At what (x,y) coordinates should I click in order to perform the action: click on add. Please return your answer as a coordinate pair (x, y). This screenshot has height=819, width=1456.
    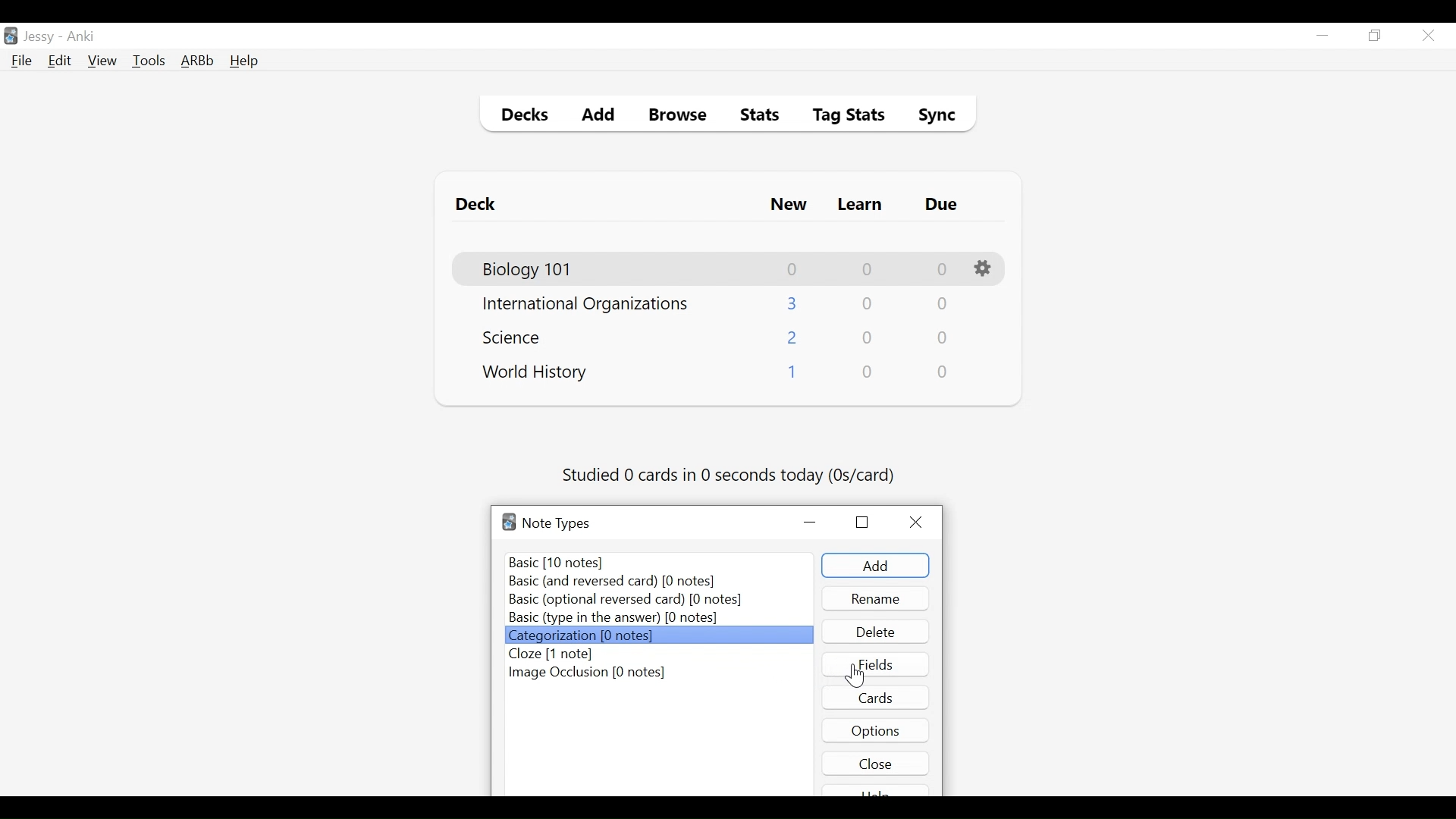
    Looking at the image, I should click on (875, 566).